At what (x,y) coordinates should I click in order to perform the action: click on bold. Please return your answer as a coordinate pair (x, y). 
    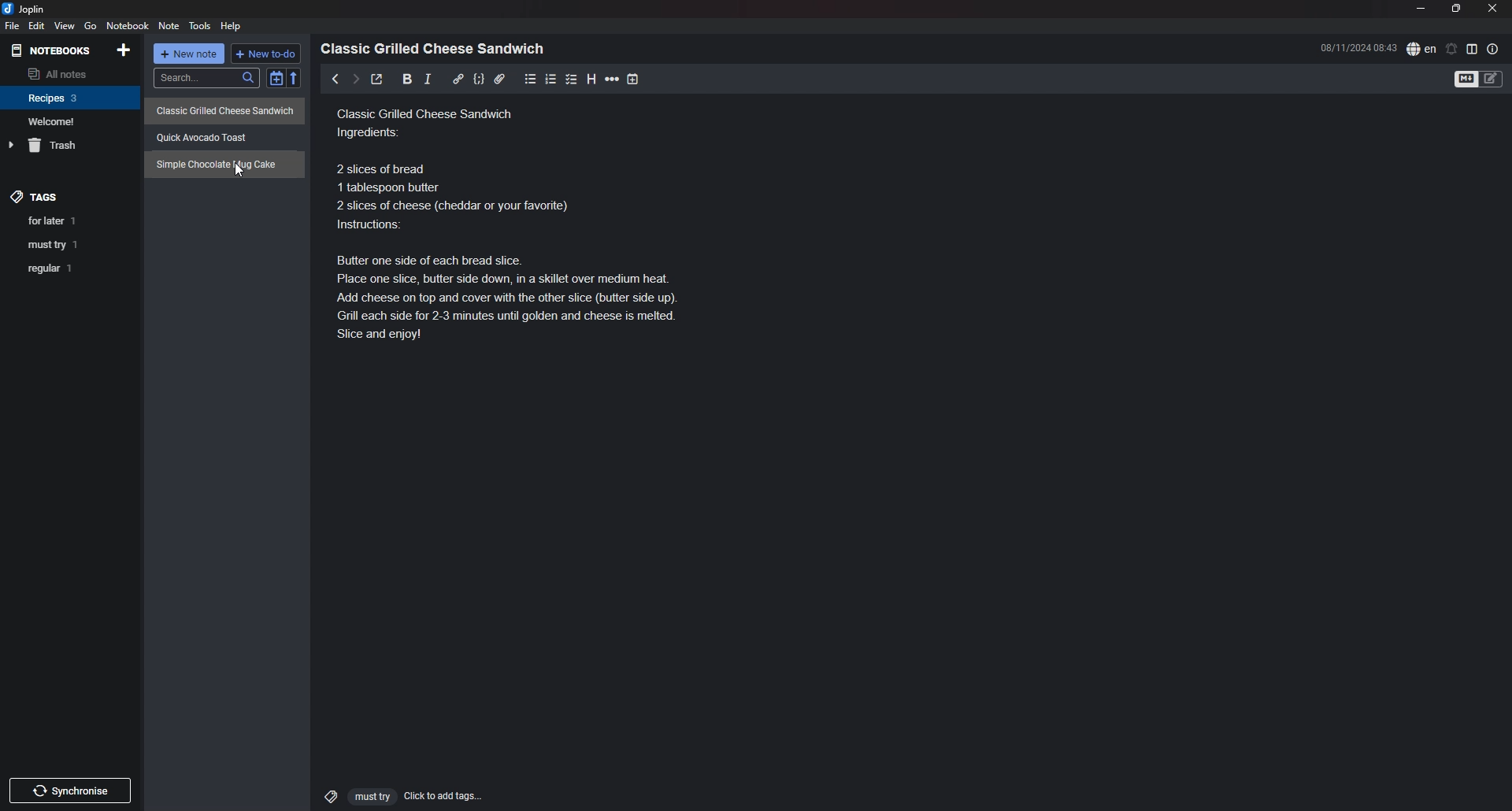
    Looking at the image, I should click on (402, 80).